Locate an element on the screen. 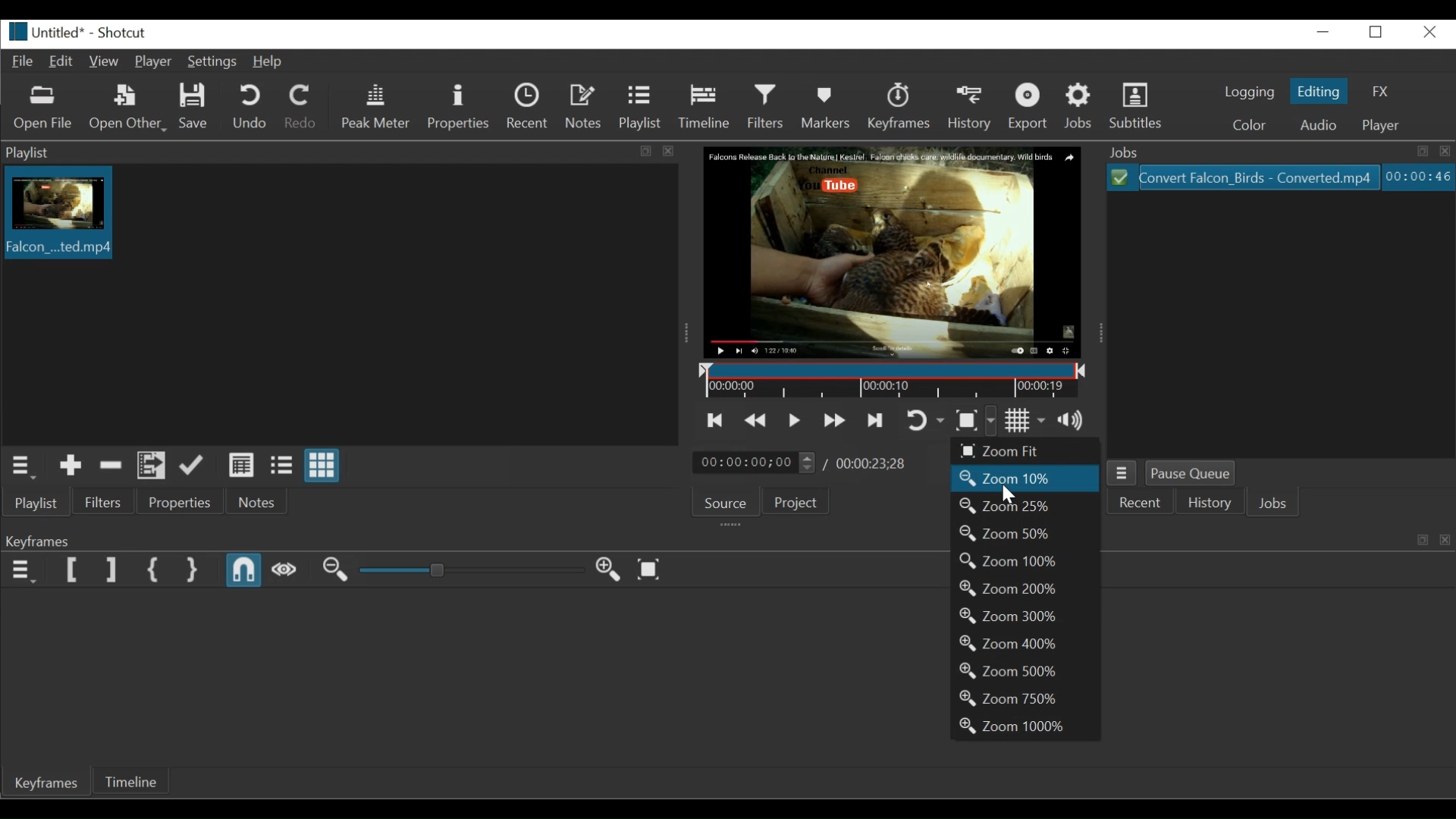 The width and height of the screenshot is (1456, 819). Playlist is located at coordinates (38, 502).